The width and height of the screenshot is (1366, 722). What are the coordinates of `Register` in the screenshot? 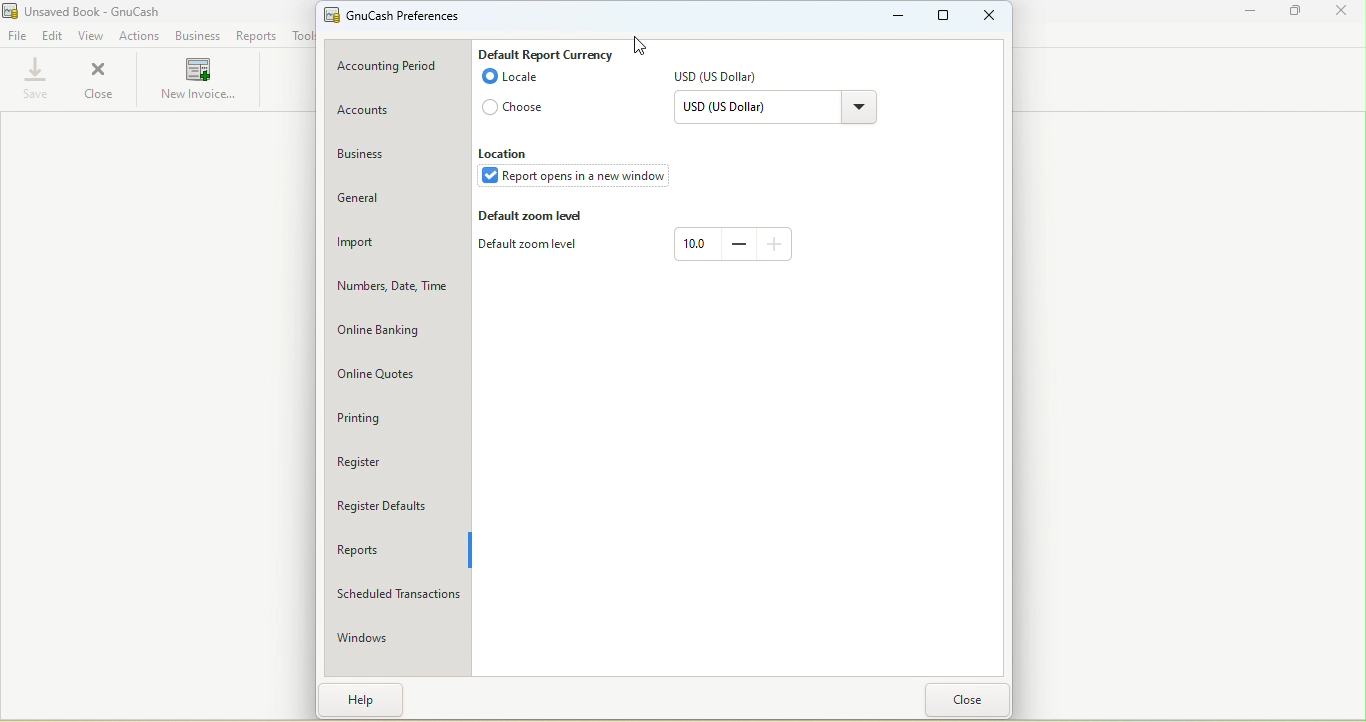 It's located at (390, 459).